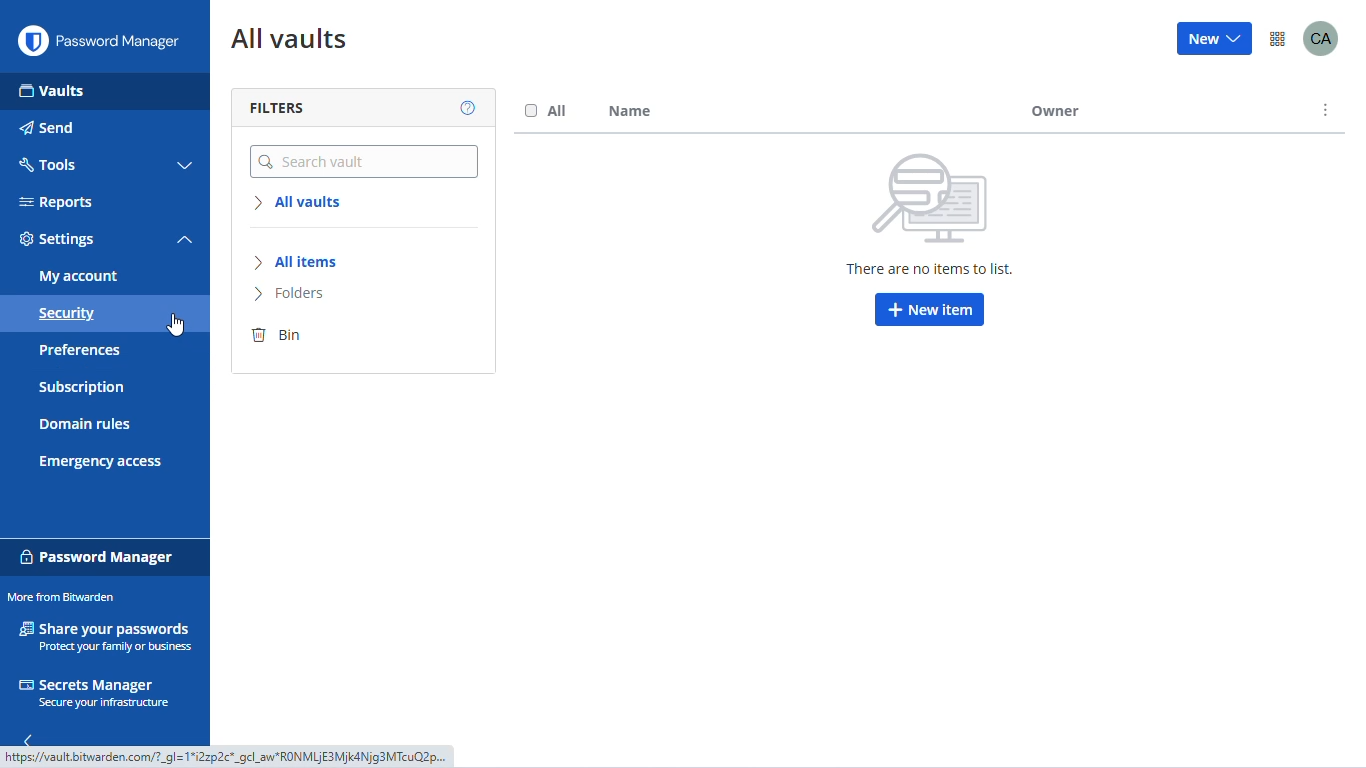 The image size is (1366, 768). Describe the element at coordinates (46, 163) in the screenshot. I see `tools` at that location.